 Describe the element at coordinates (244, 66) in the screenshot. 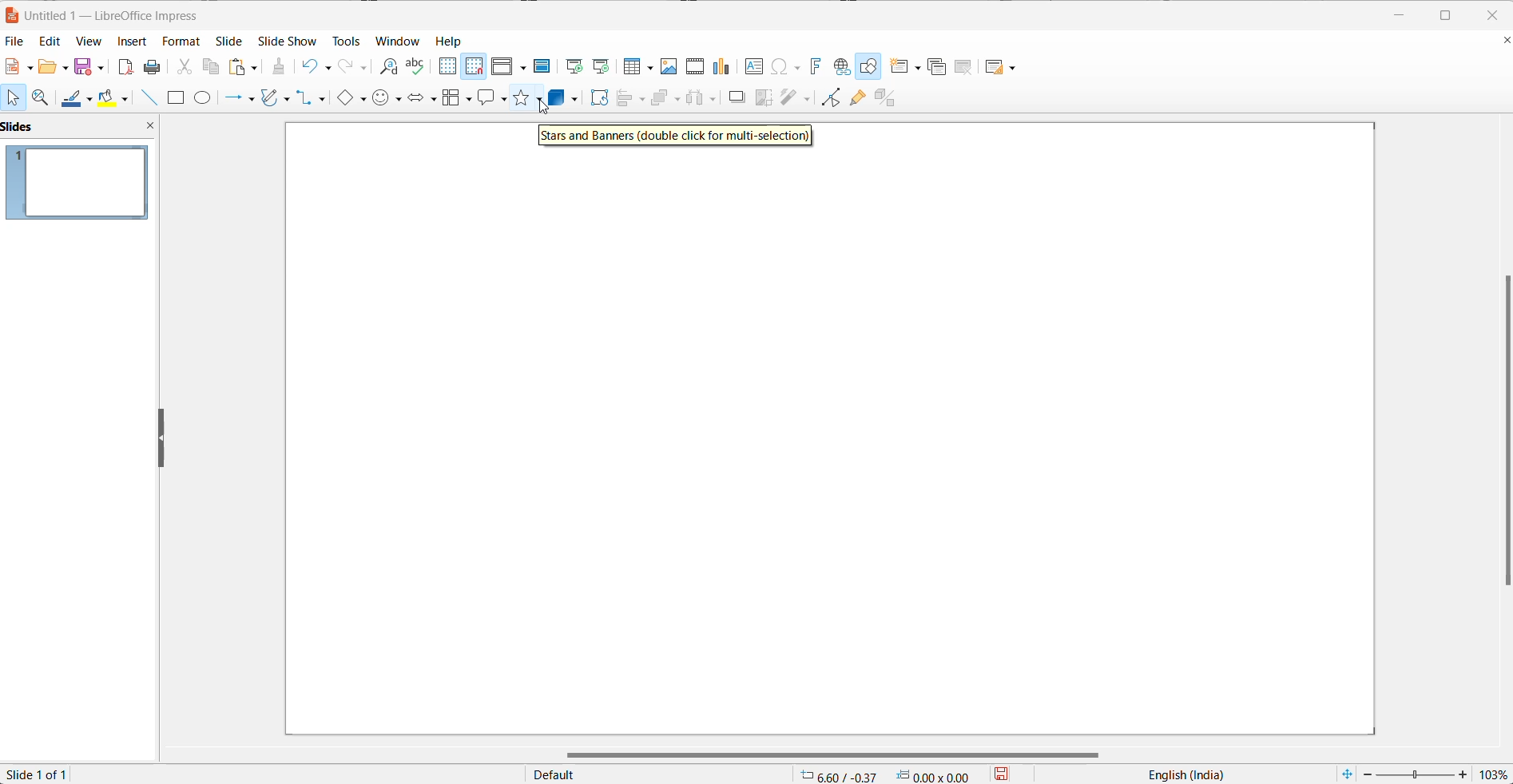

I see `paste options` at that location.